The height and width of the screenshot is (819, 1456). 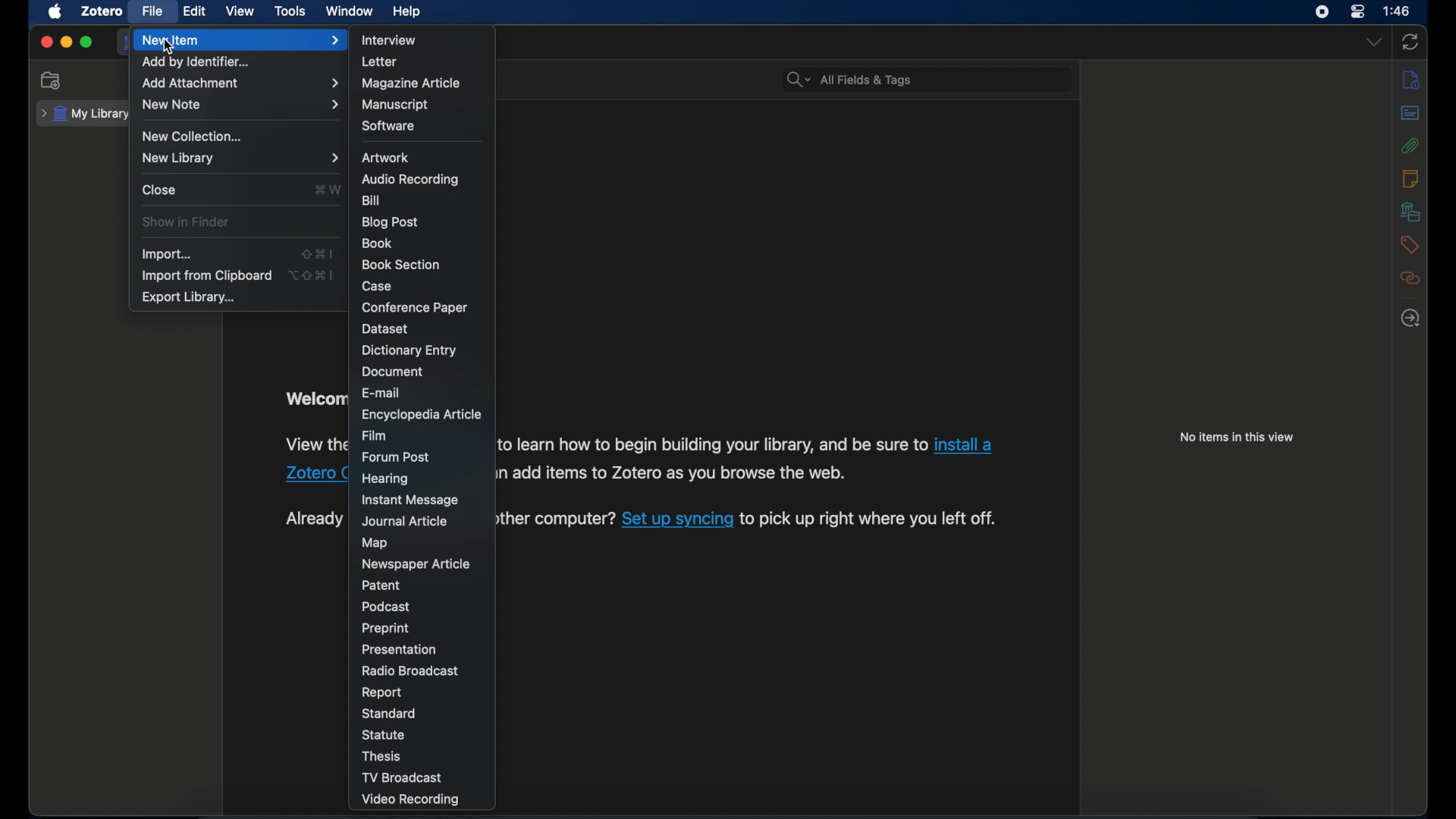 I want to click on new library, so click(x=238, y=158).